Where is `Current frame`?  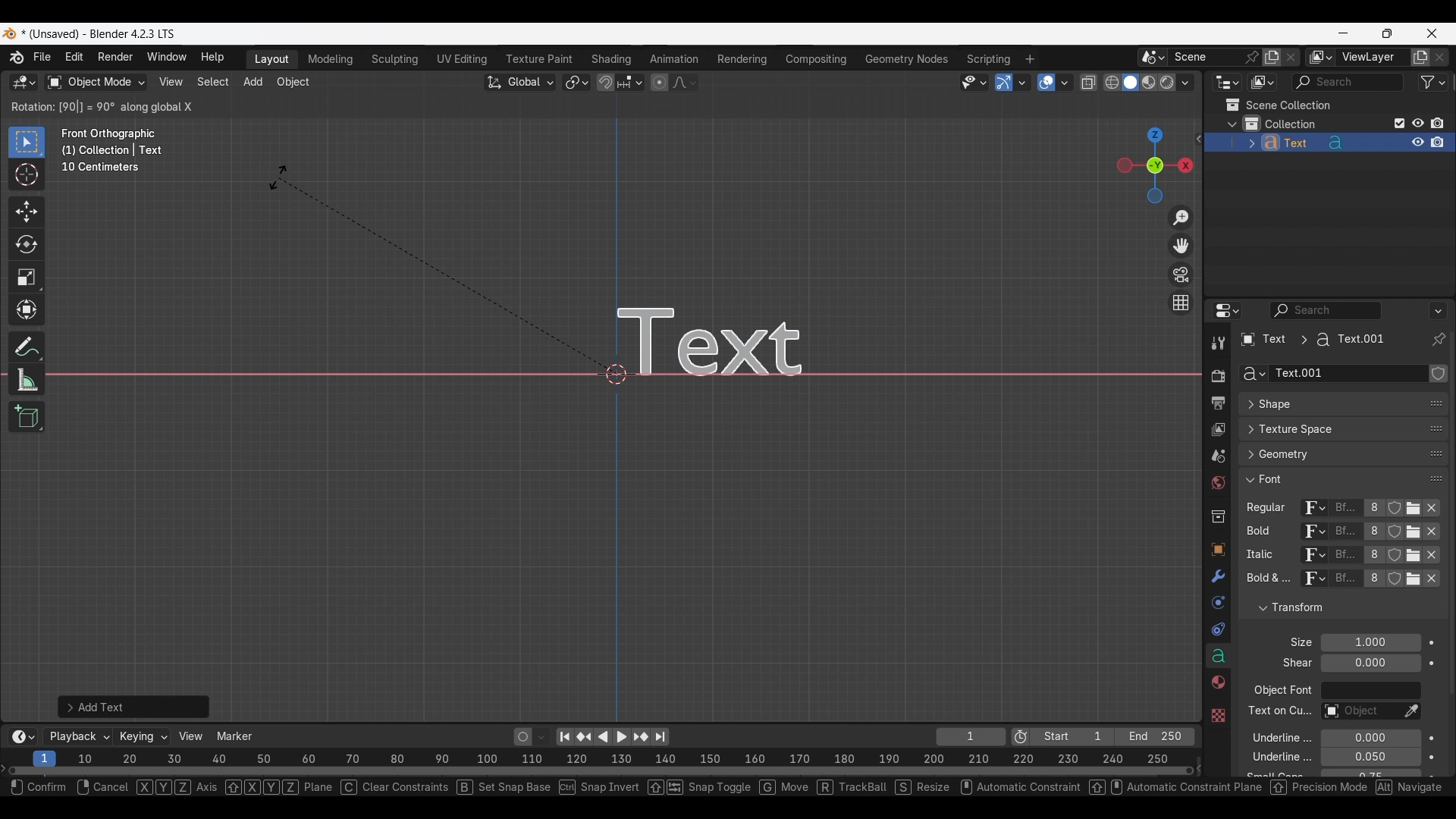 Current frame is located at coordinates (971, 738).